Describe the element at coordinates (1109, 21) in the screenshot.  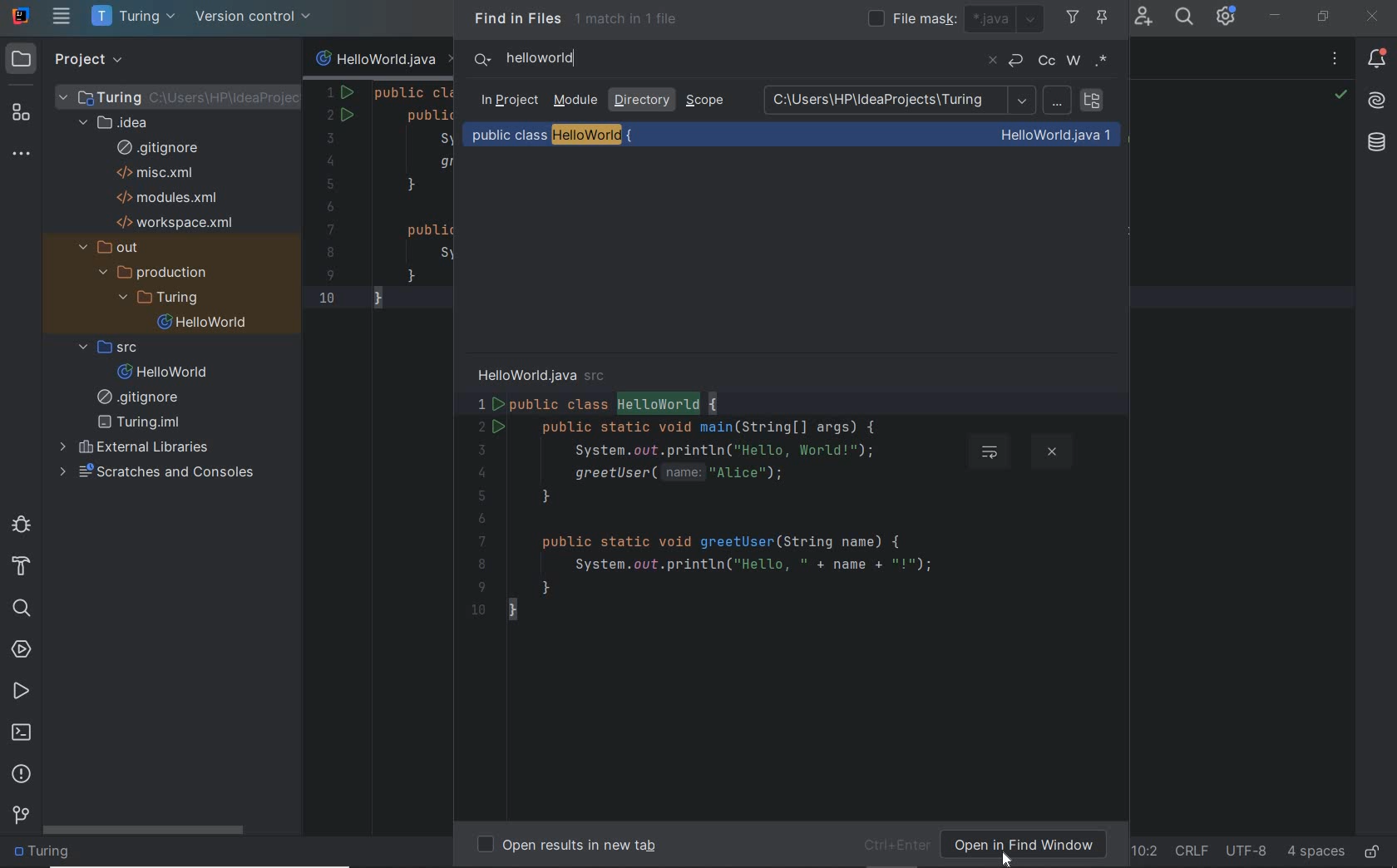
I see `pin` at that location.